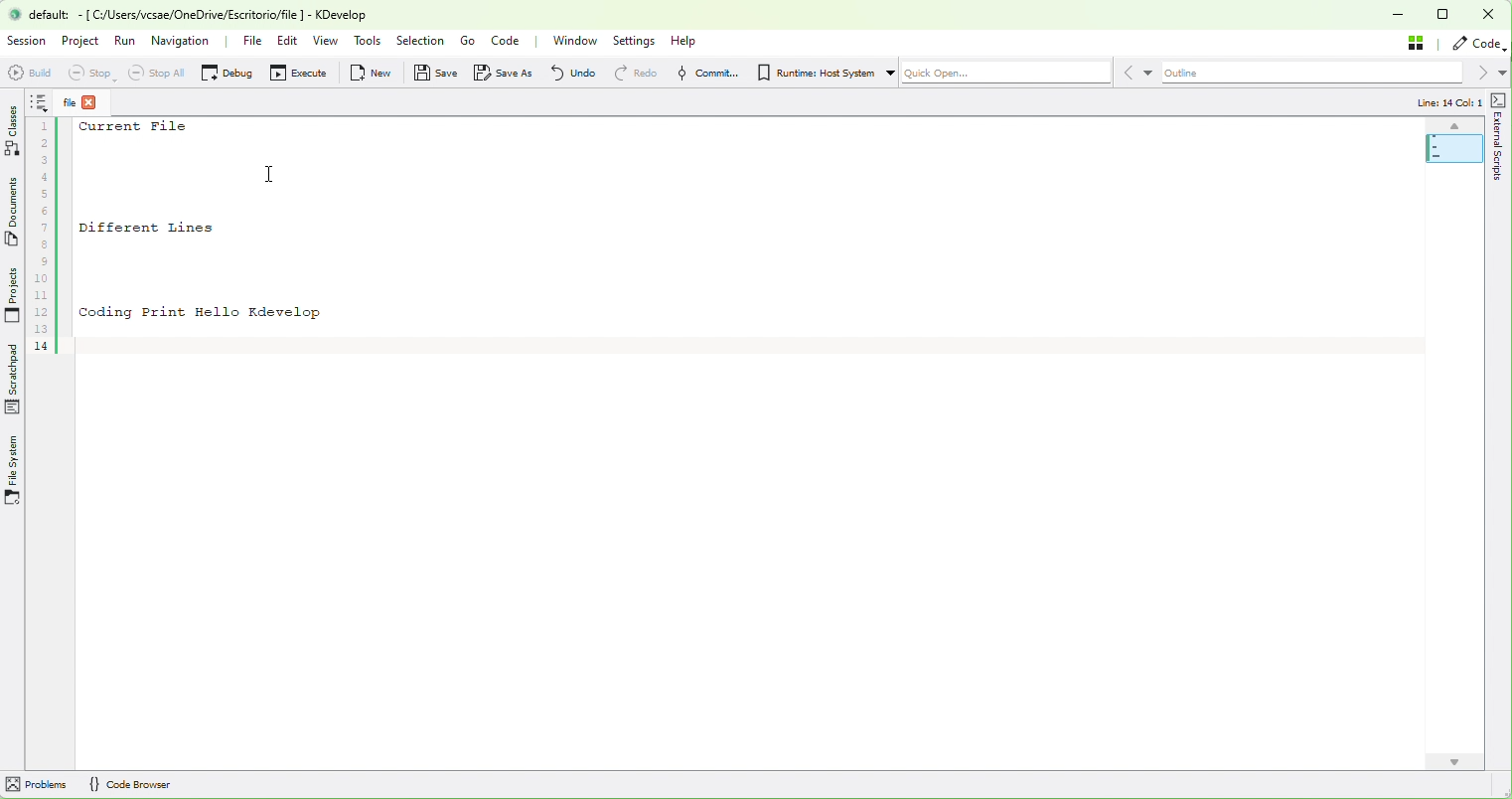 This screenshot has width=1512, height=799. What do you see at coordinates (1421, 44) in the screenshot?
I see `Stash` at bounding box center [1421, 44].